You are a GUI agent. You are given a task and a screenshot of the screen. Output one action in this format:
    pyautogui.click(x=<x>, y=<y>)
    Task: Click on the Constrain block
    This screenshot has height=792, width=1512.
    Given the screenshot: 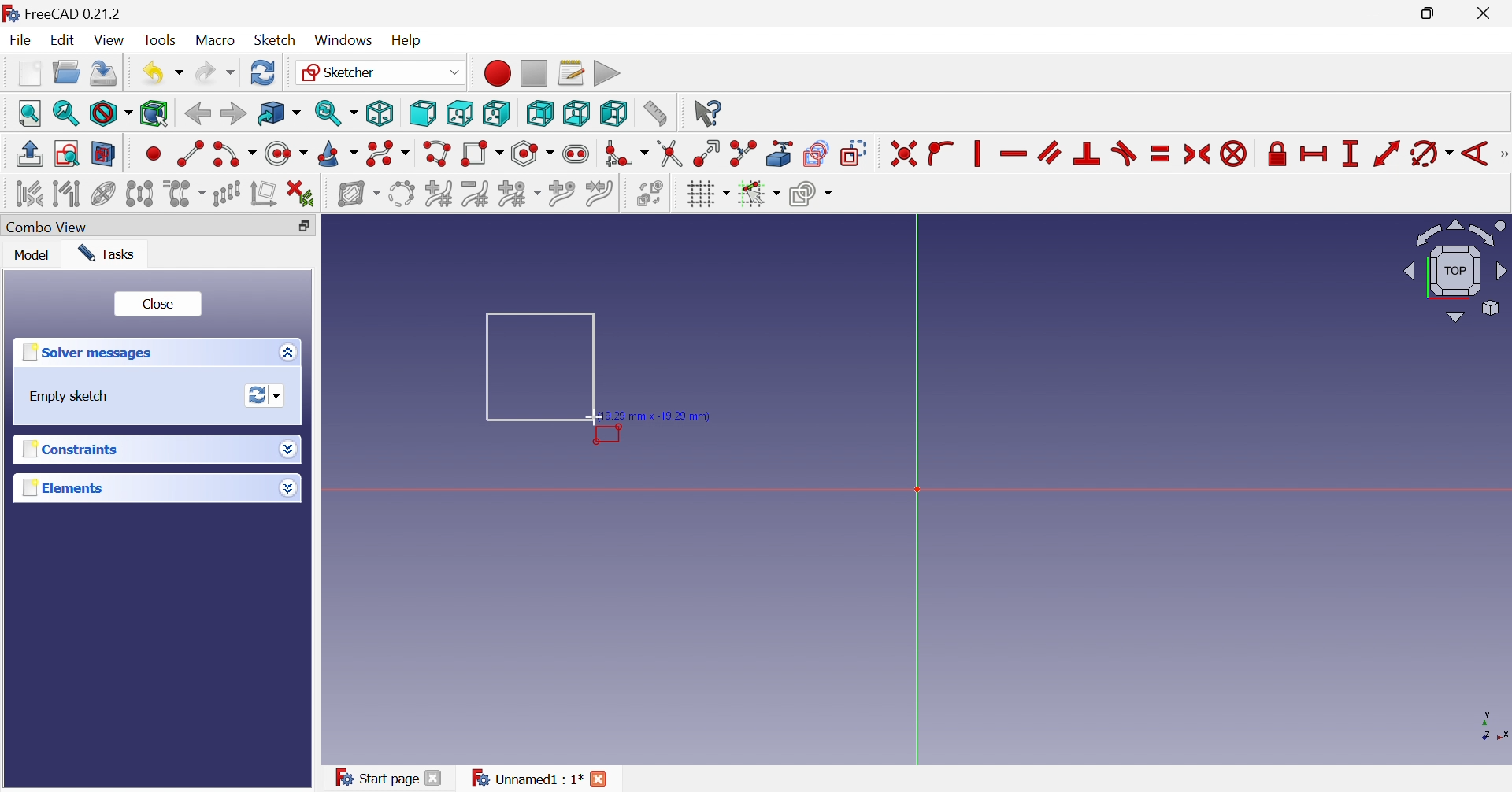 What is the action you would take?
    pyautogui.click(x=1233, y=154)
    